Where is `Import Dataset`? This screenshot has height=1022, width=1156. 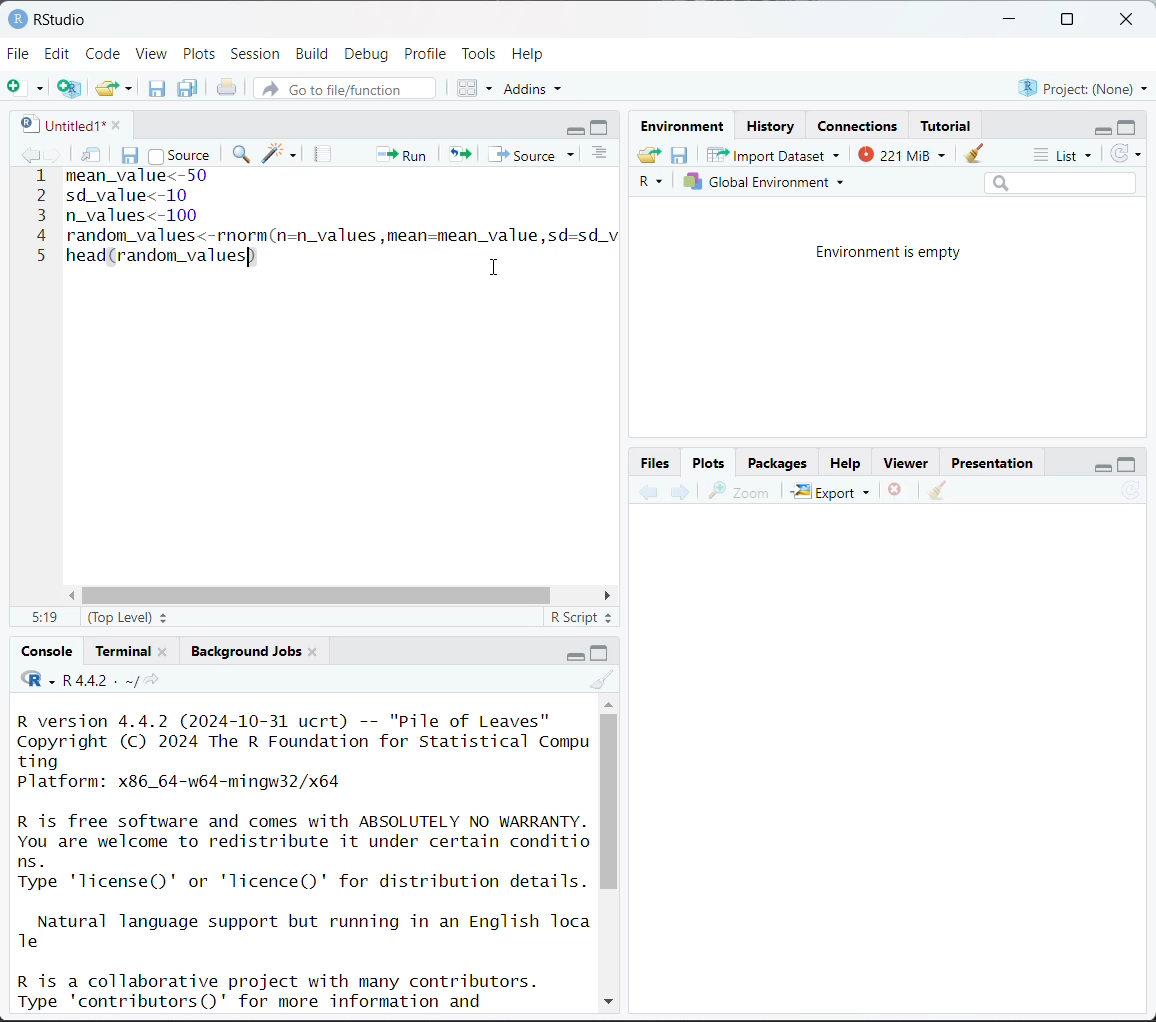
Import Dataset is located at coordinates (774, 154).